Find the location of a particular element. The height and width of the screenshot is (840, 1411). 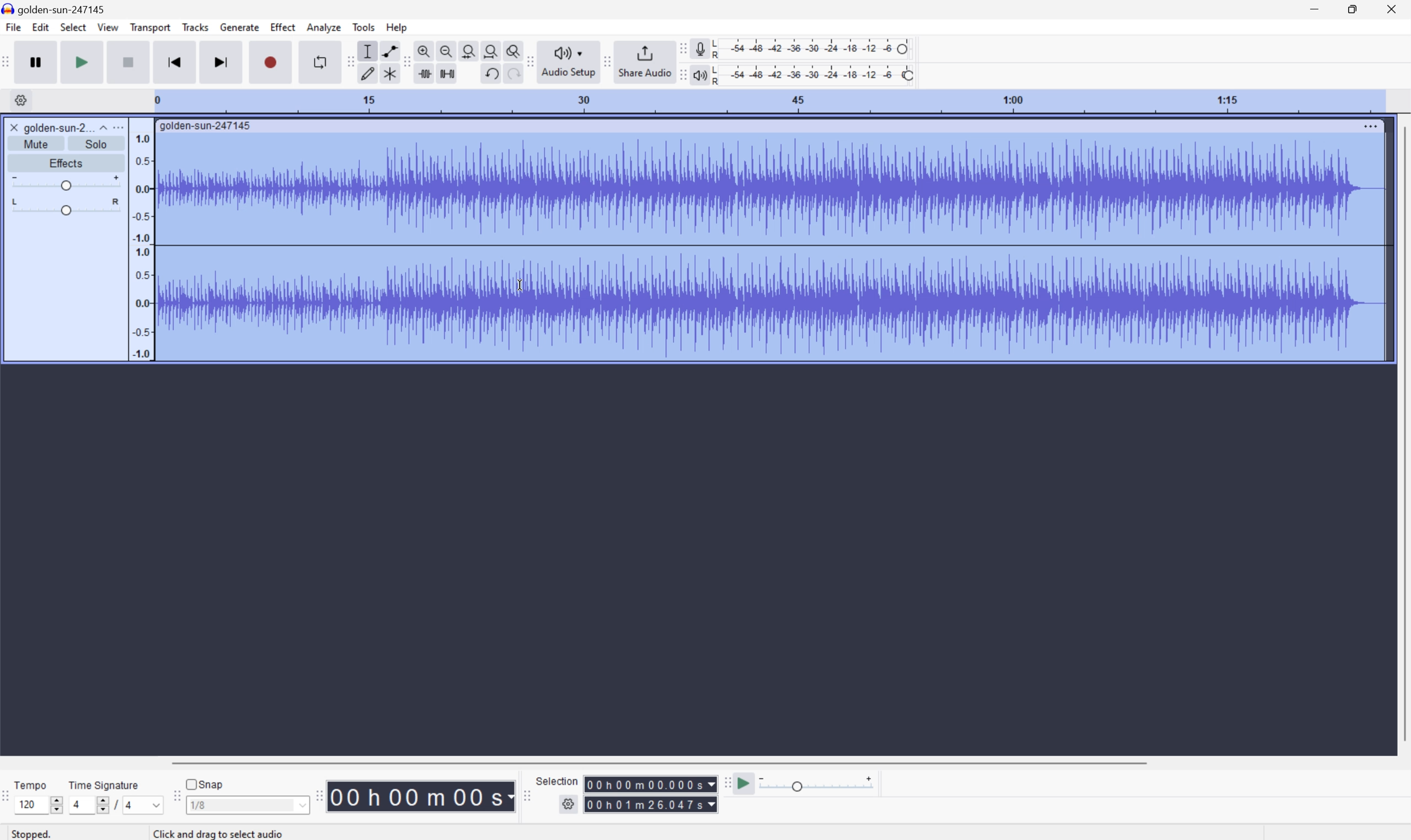

Tracks is located at coordinates (195, 26).